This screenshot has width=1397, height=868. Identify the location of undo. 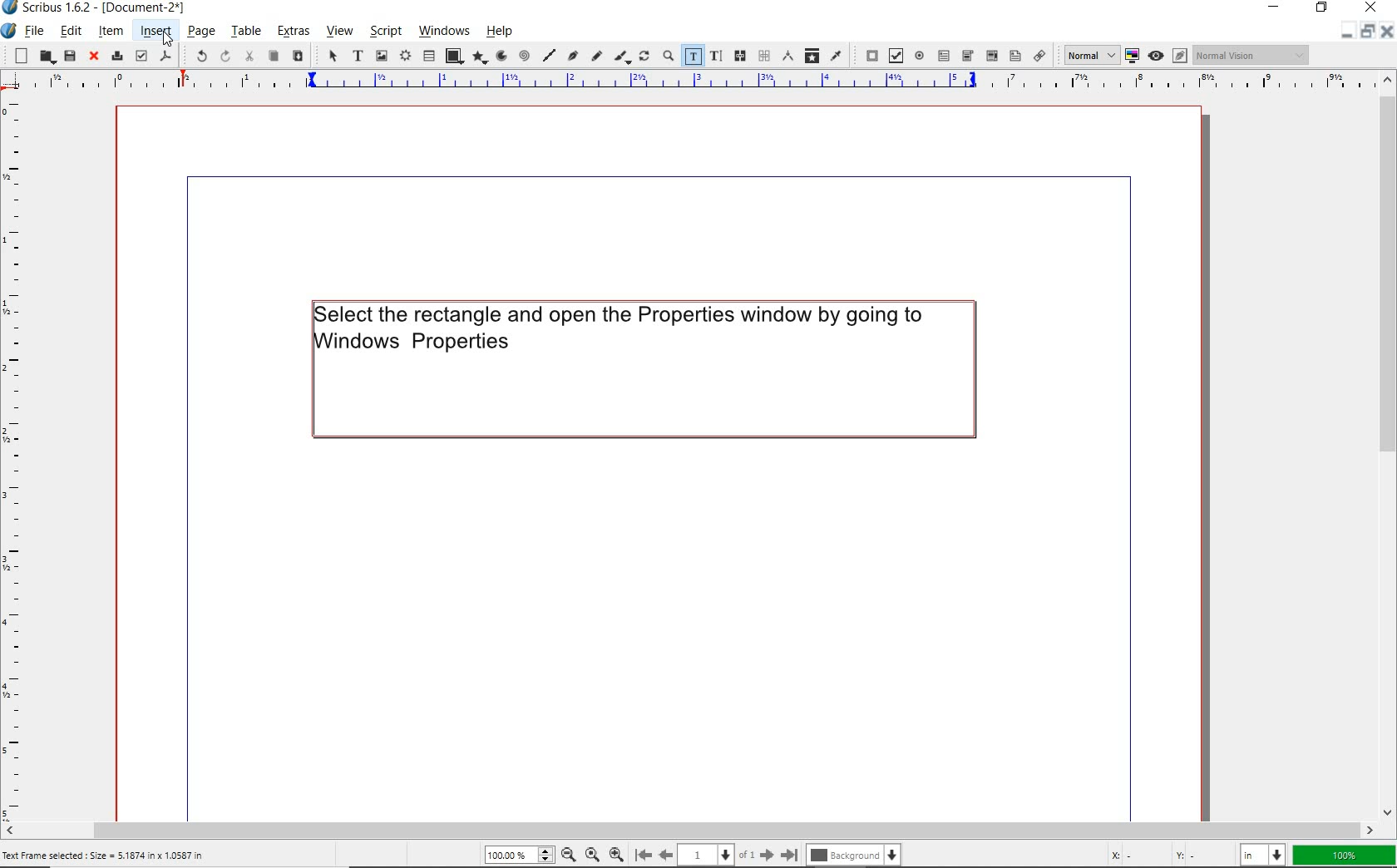
(196, 55).